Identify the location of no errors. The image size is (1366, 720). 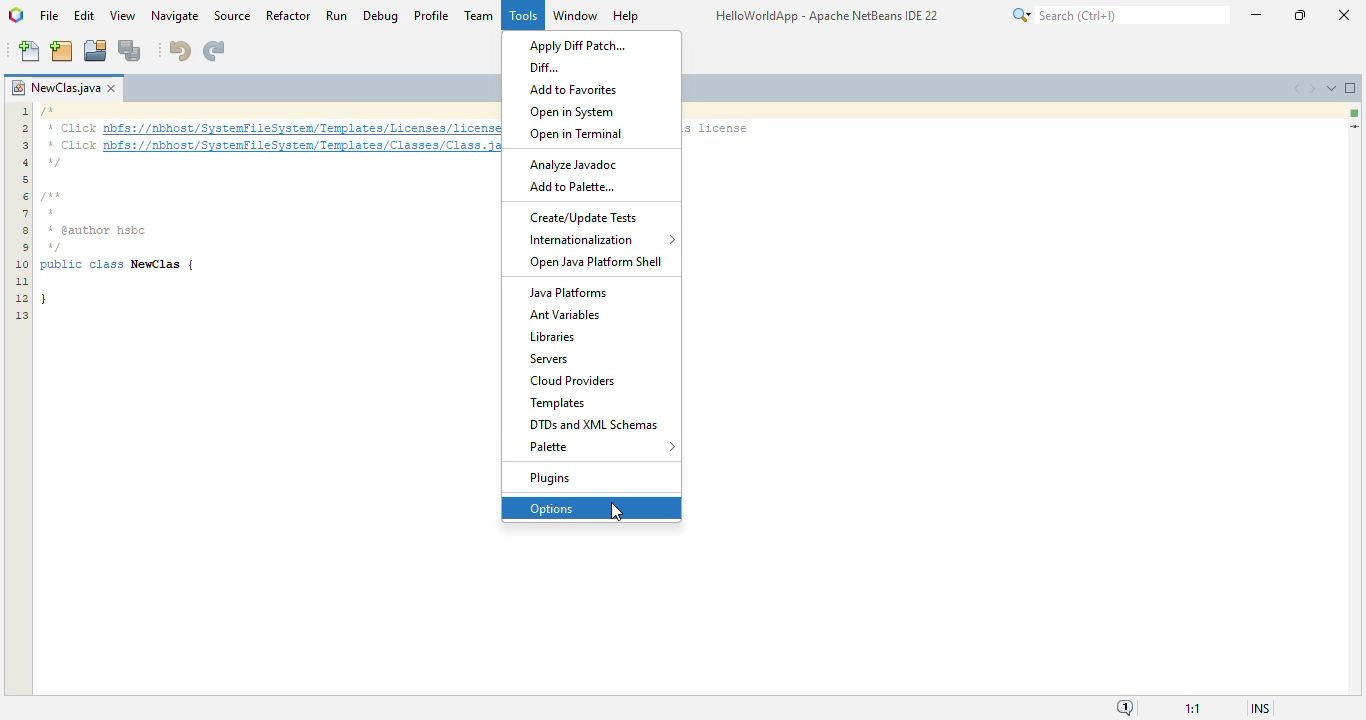
(1355, 113).